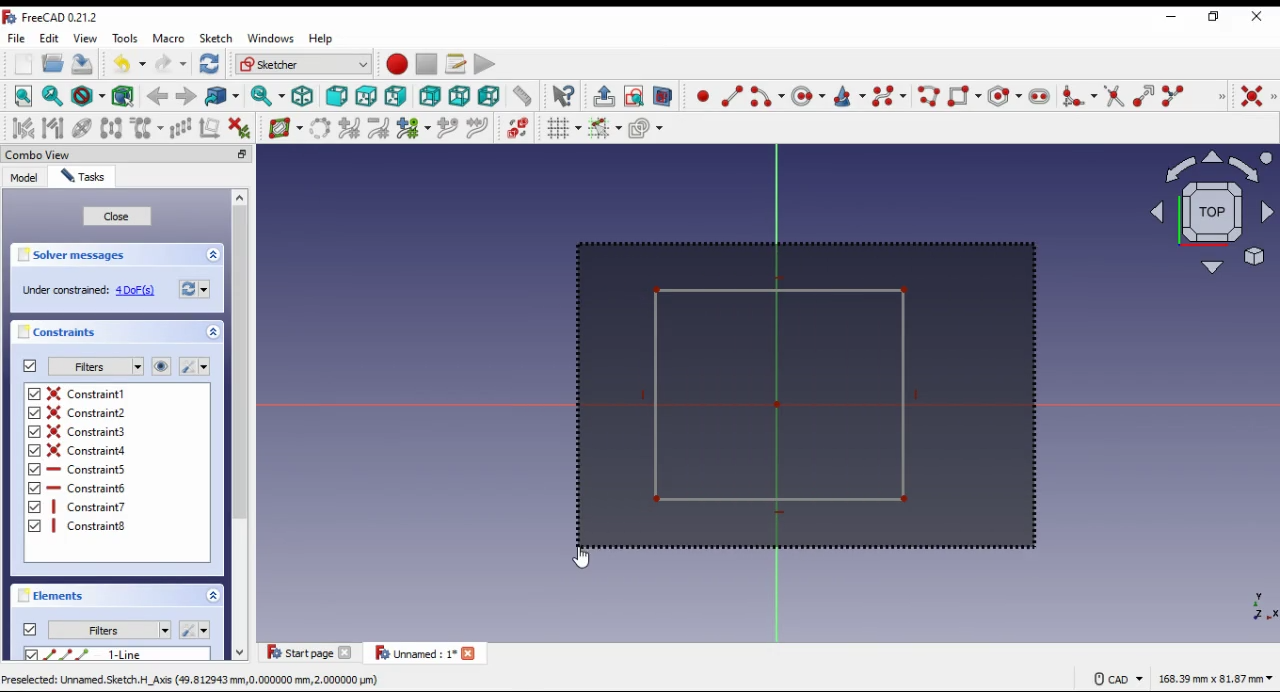  What do you see at coordinates (1258, 97) in the screenshot?
I see `constraint coincident` at bounding box center [1258, 97].